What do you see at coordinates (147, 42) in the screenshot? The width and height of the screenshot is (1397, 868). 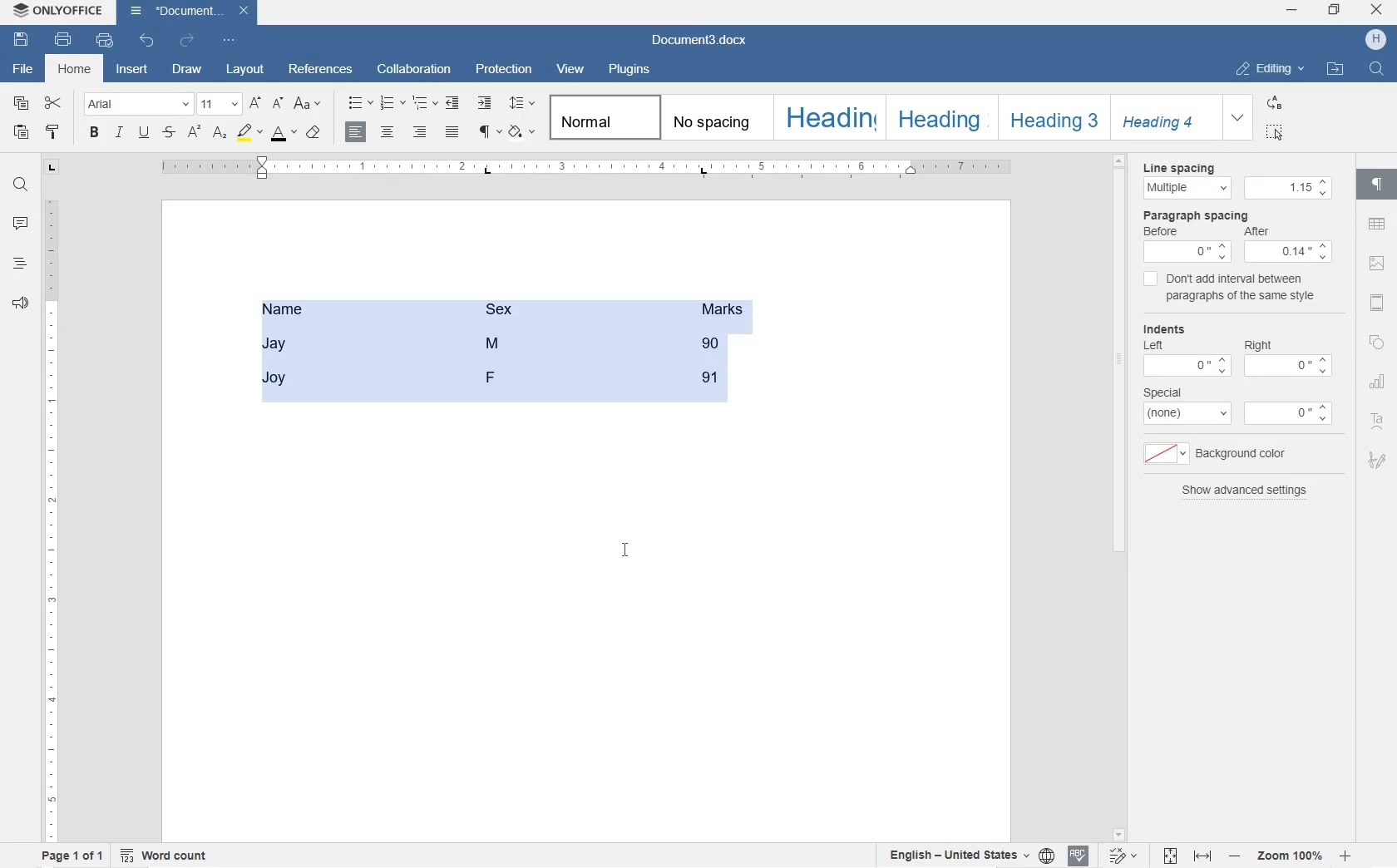 I see `UNDO` at bounding box center [147, 42].